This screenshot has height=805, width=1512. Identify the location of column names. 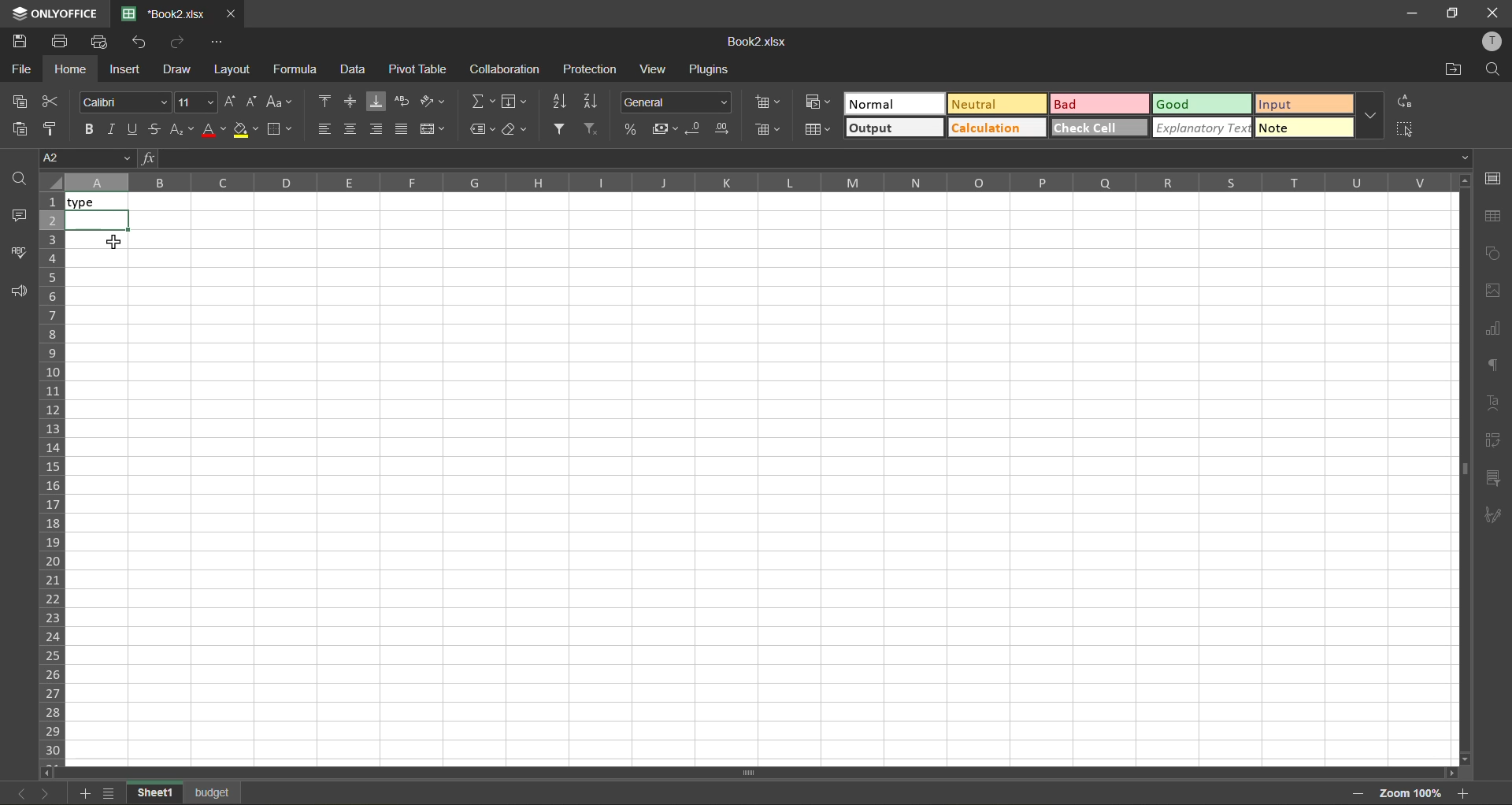
(755, 184).